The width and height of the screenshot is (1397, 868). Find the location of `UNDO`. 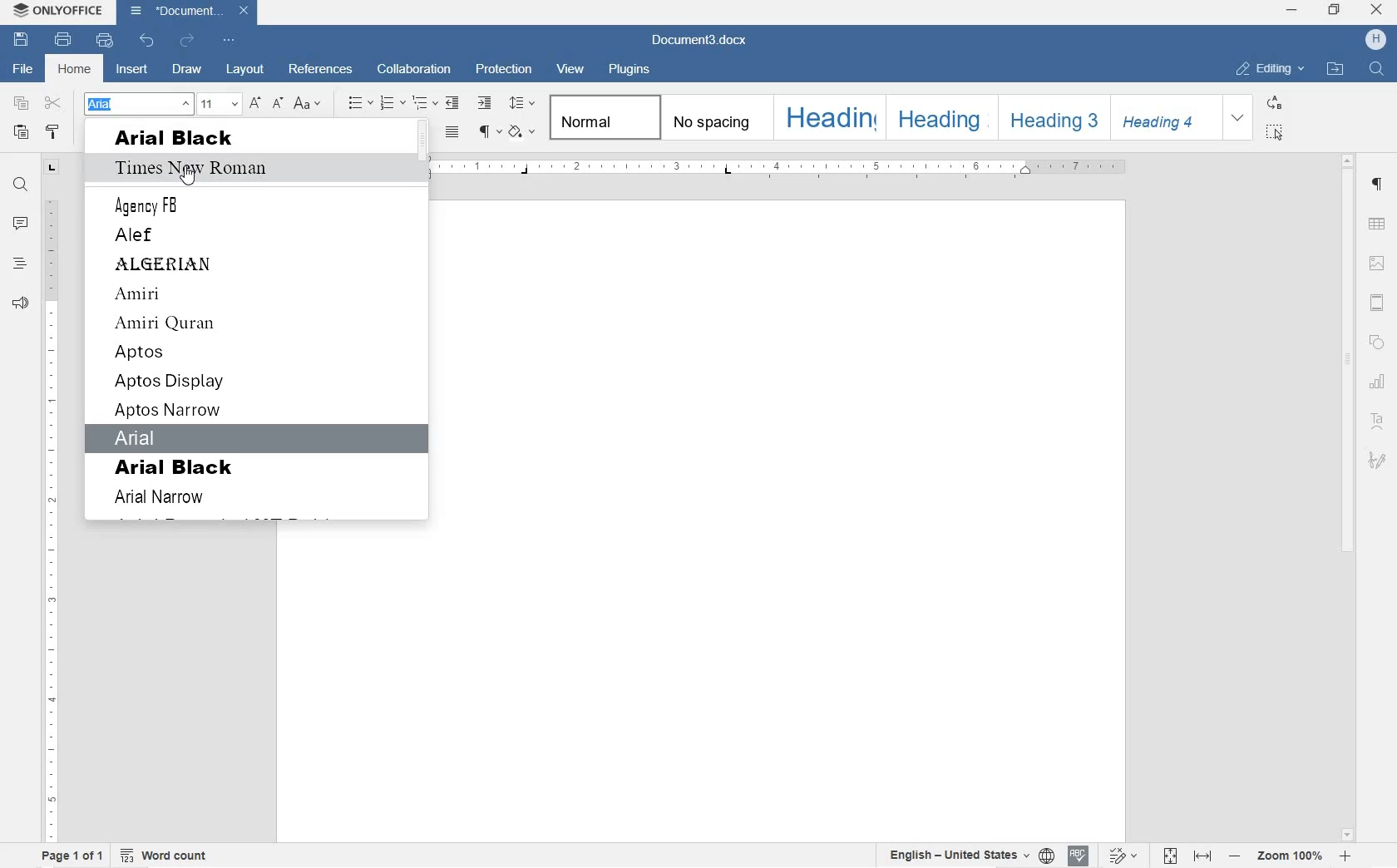

UNDO is located at coordinates (146, 42).